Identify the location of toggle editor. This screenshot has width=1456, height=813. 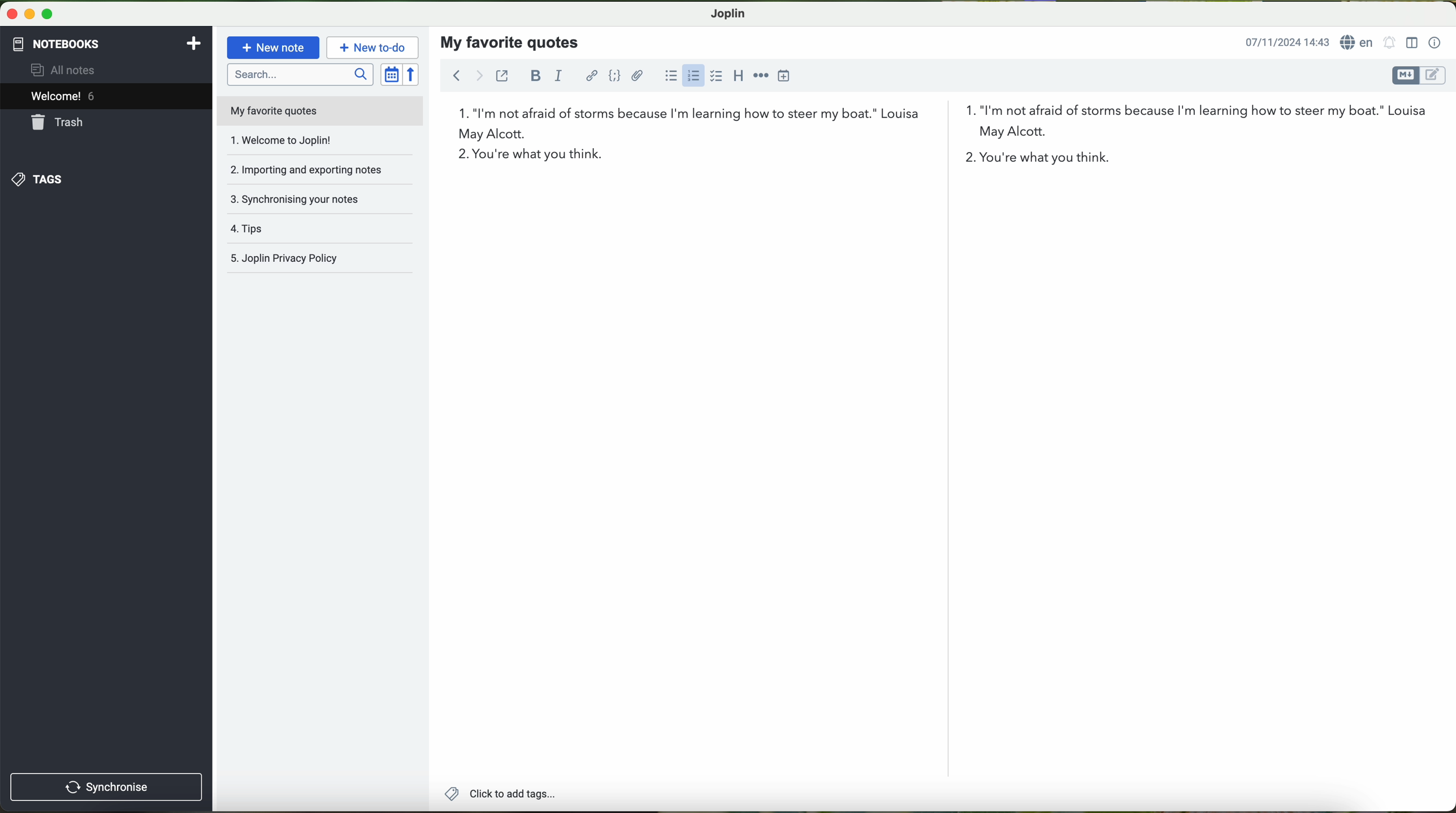
(1419, 75).